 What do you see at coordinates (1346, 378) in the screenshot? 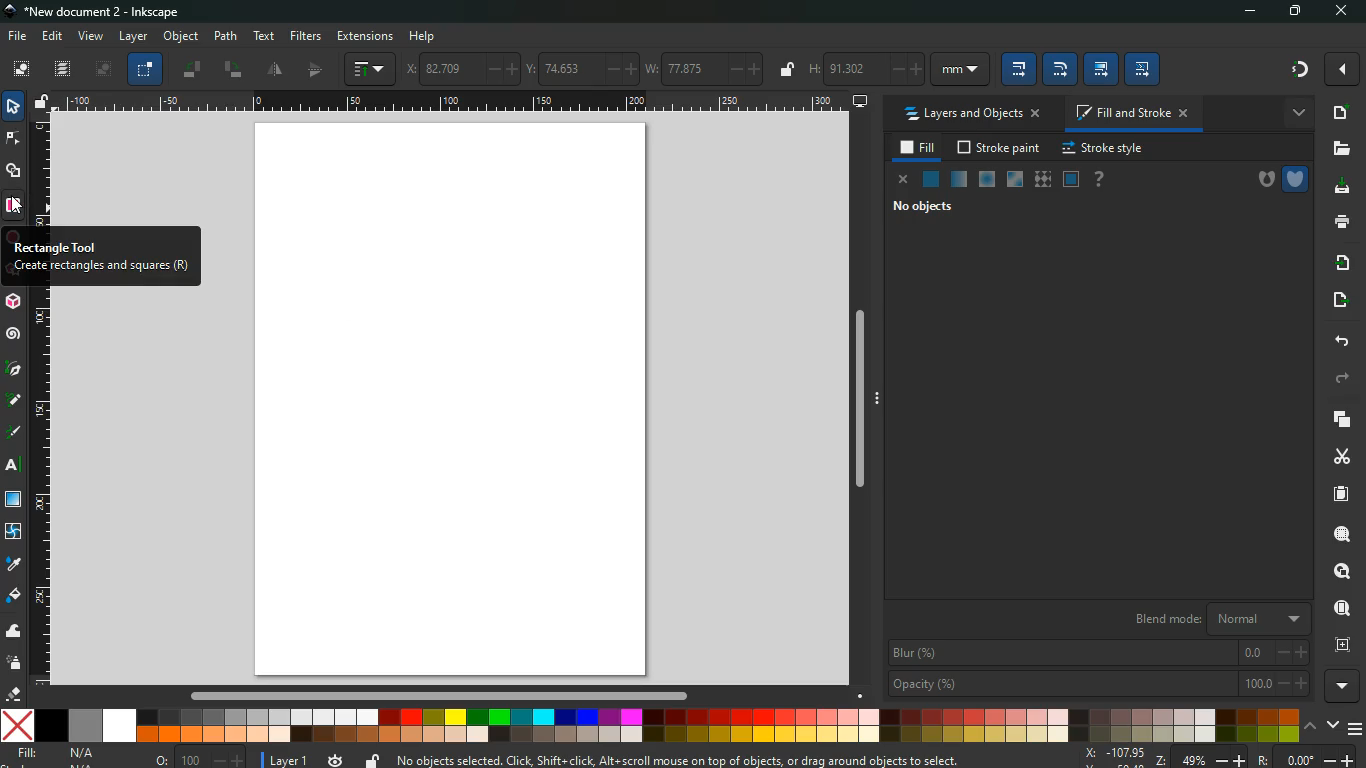
I see `forward` at bounding box center [1346, 378].